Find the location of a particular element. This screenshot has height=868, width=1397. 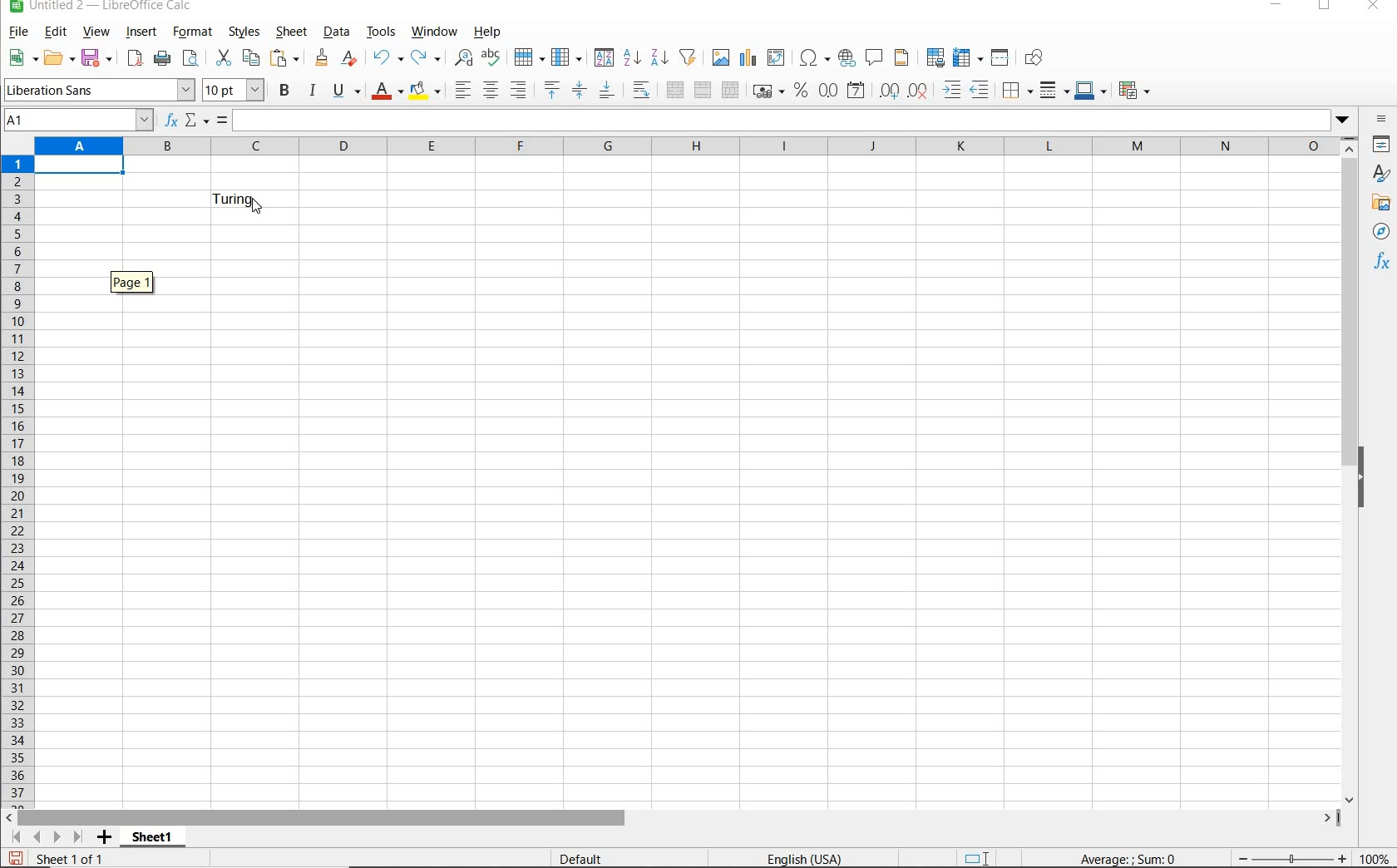

SELECTED CELL is located at coordinates (83, 170).